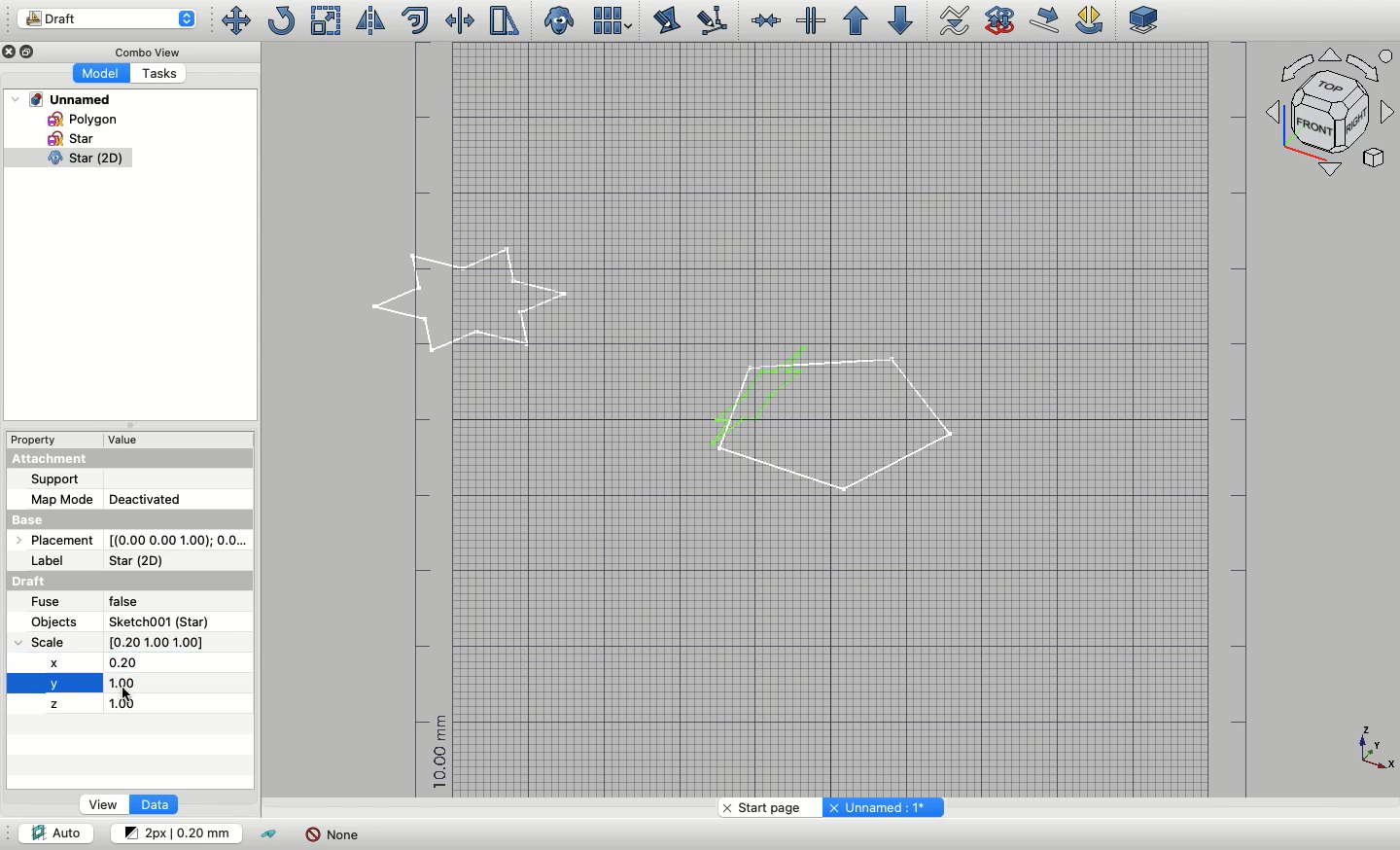  I want to click on 1.00, so click(147, 684).